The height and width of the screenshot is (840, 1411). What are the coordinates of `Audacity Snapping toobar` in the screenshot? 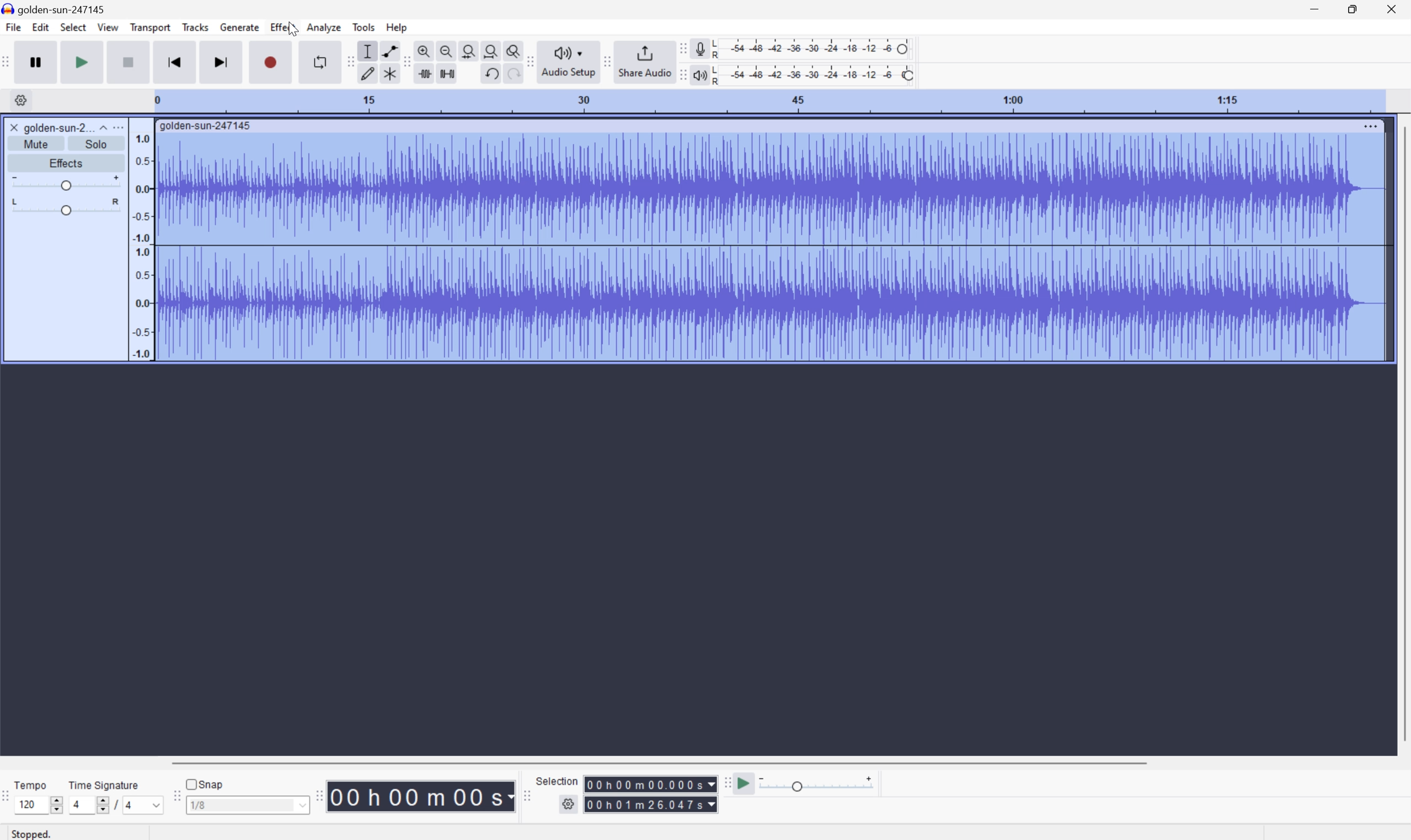 It's located at (174, 797).